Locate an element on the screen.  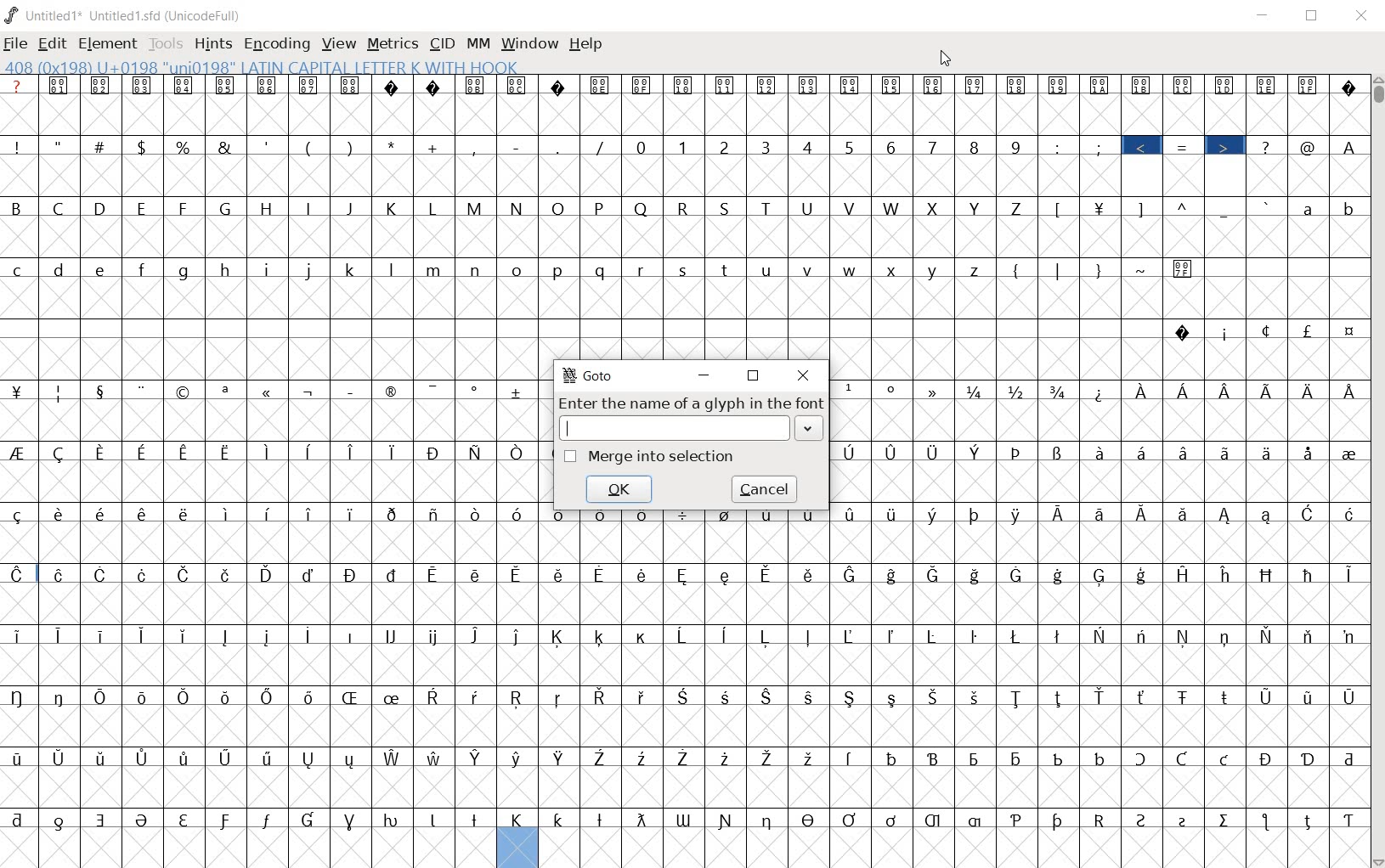
symbols is located at coordinates (892, 391).